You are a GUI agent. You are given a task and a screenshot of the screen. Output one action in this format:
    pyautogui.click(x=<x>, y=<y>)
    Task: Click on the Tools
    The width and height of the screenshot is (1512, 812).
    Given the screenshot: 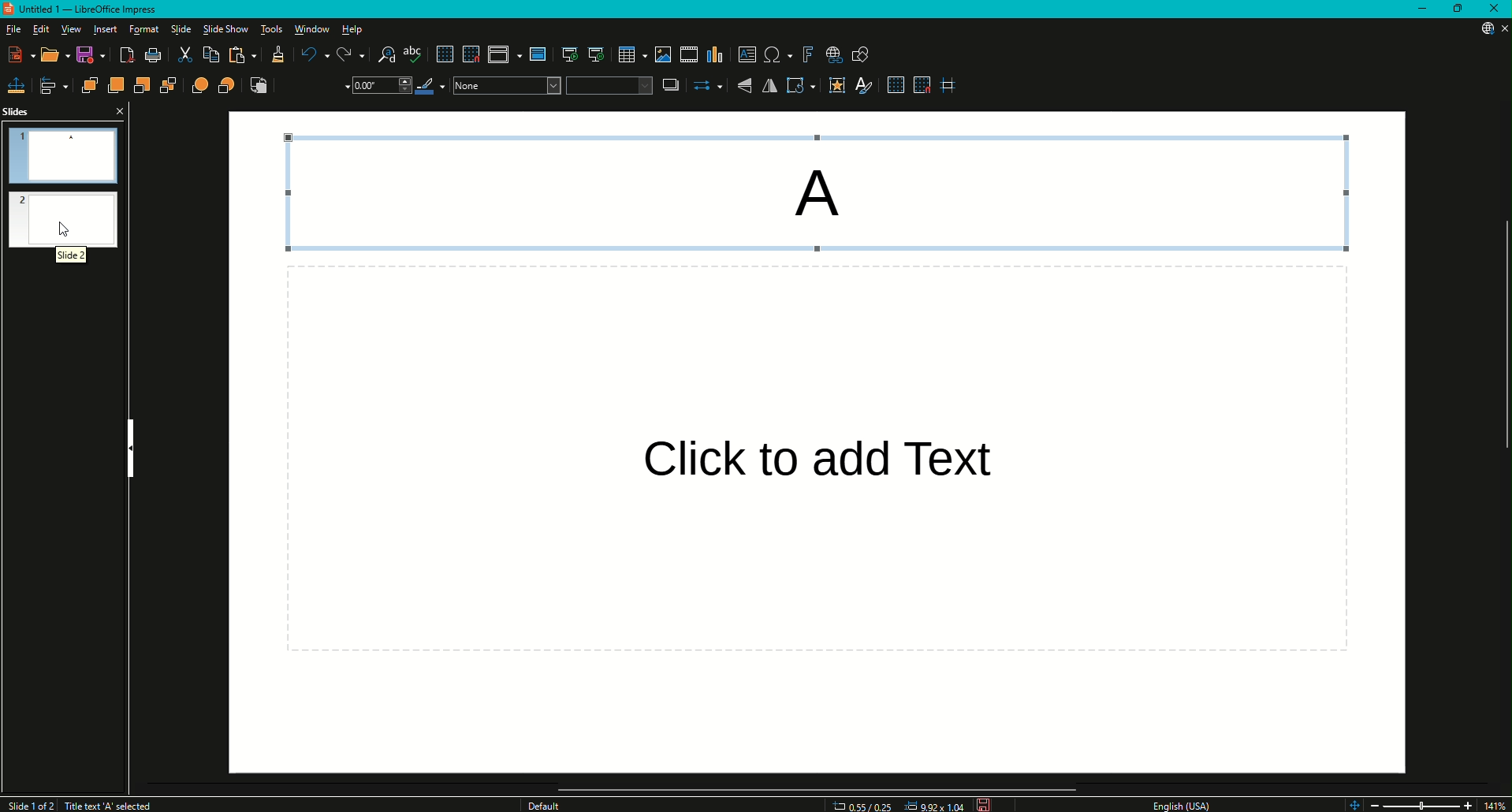 What is the action you would take?
    pyautogui.click(x=274, y=30)
    